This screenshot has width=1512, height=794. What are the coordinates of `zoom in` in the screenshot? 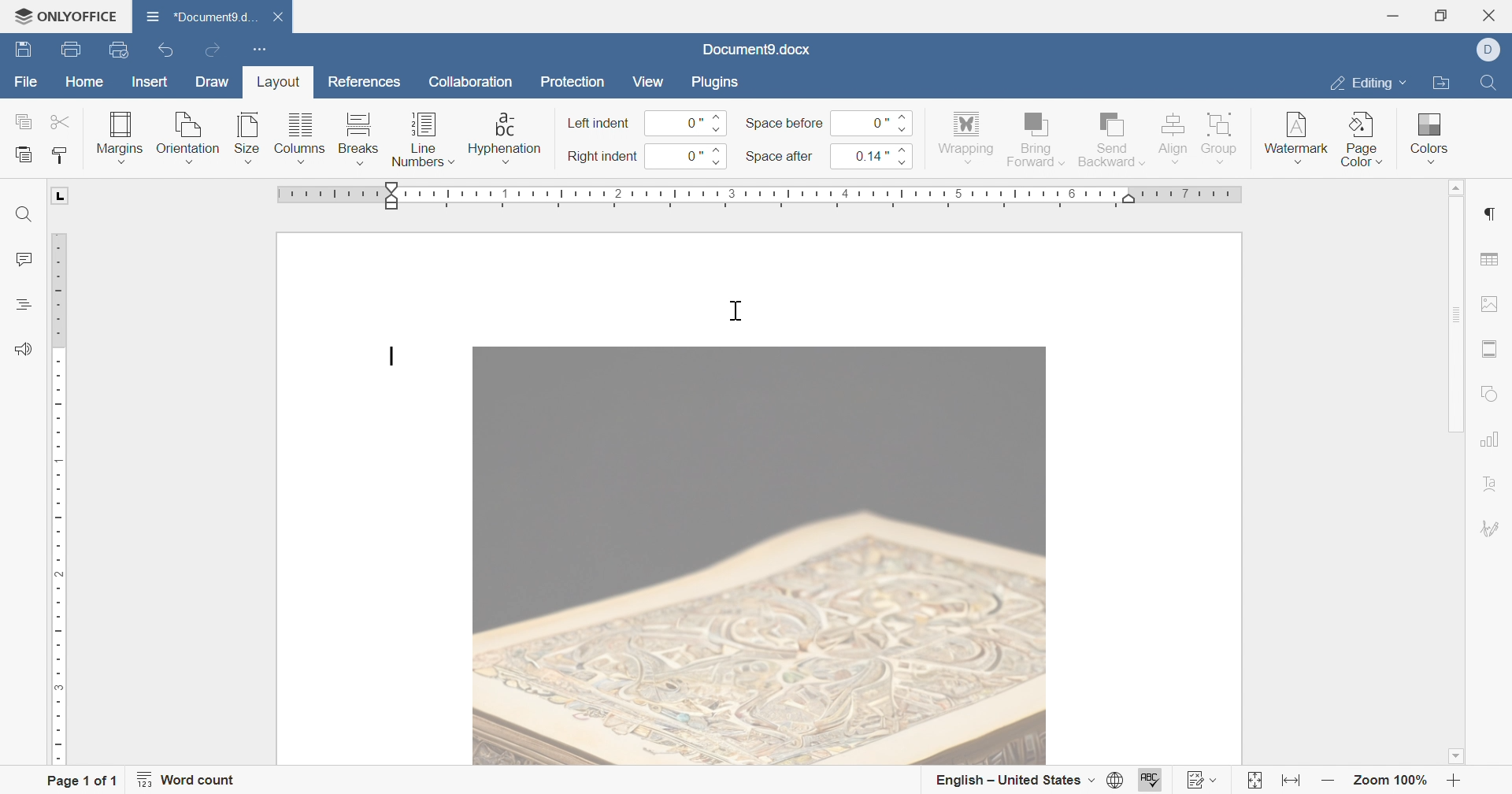 It's located at (1454, 783).